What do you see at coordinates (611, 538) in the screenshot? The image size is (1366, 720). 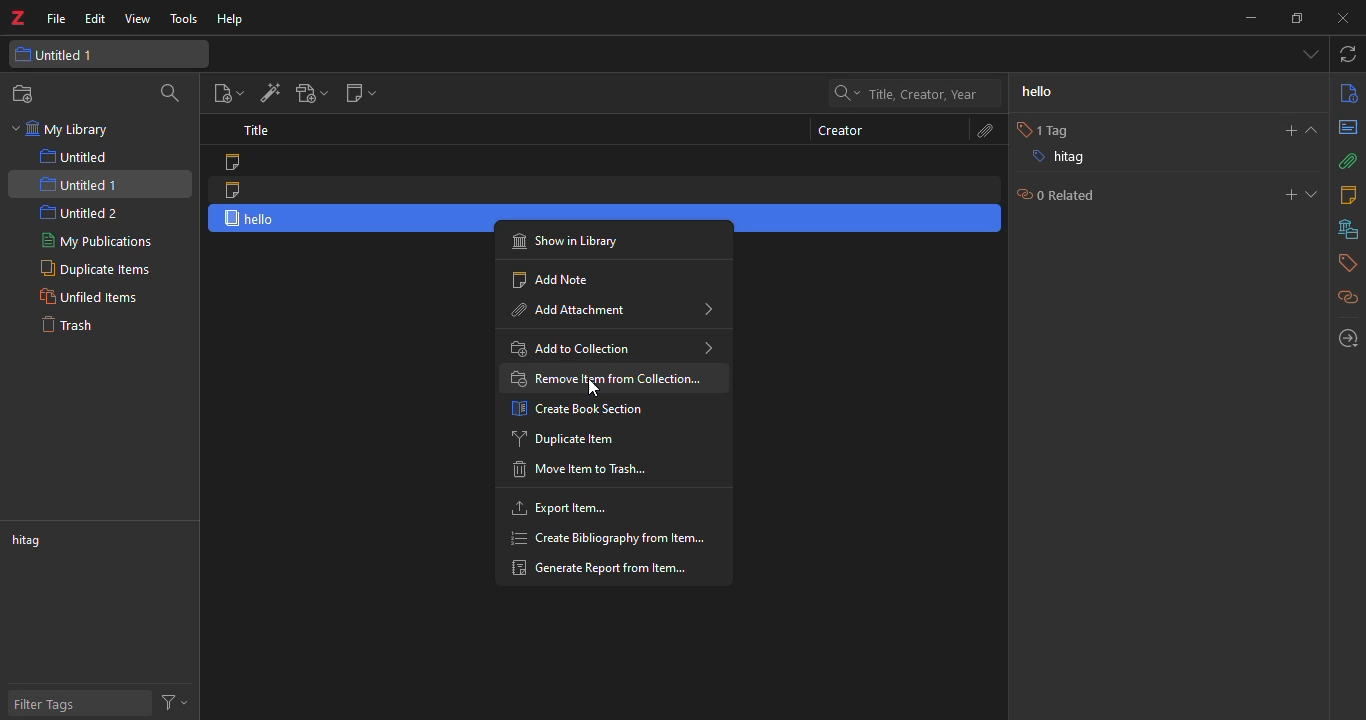 I see `create bibliography from item` at bounding box center [611, 538].